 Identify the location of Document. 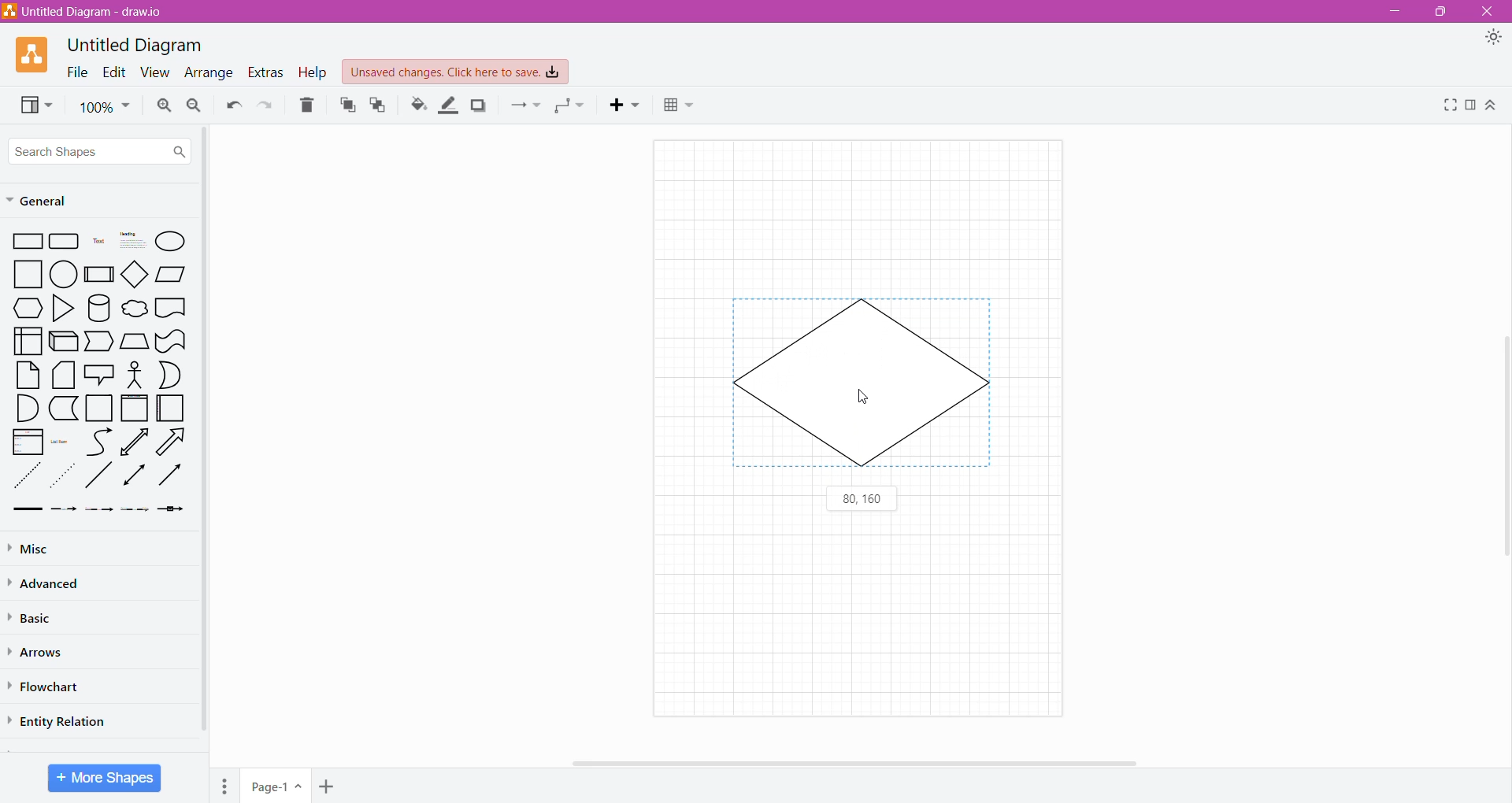
(171, 309).